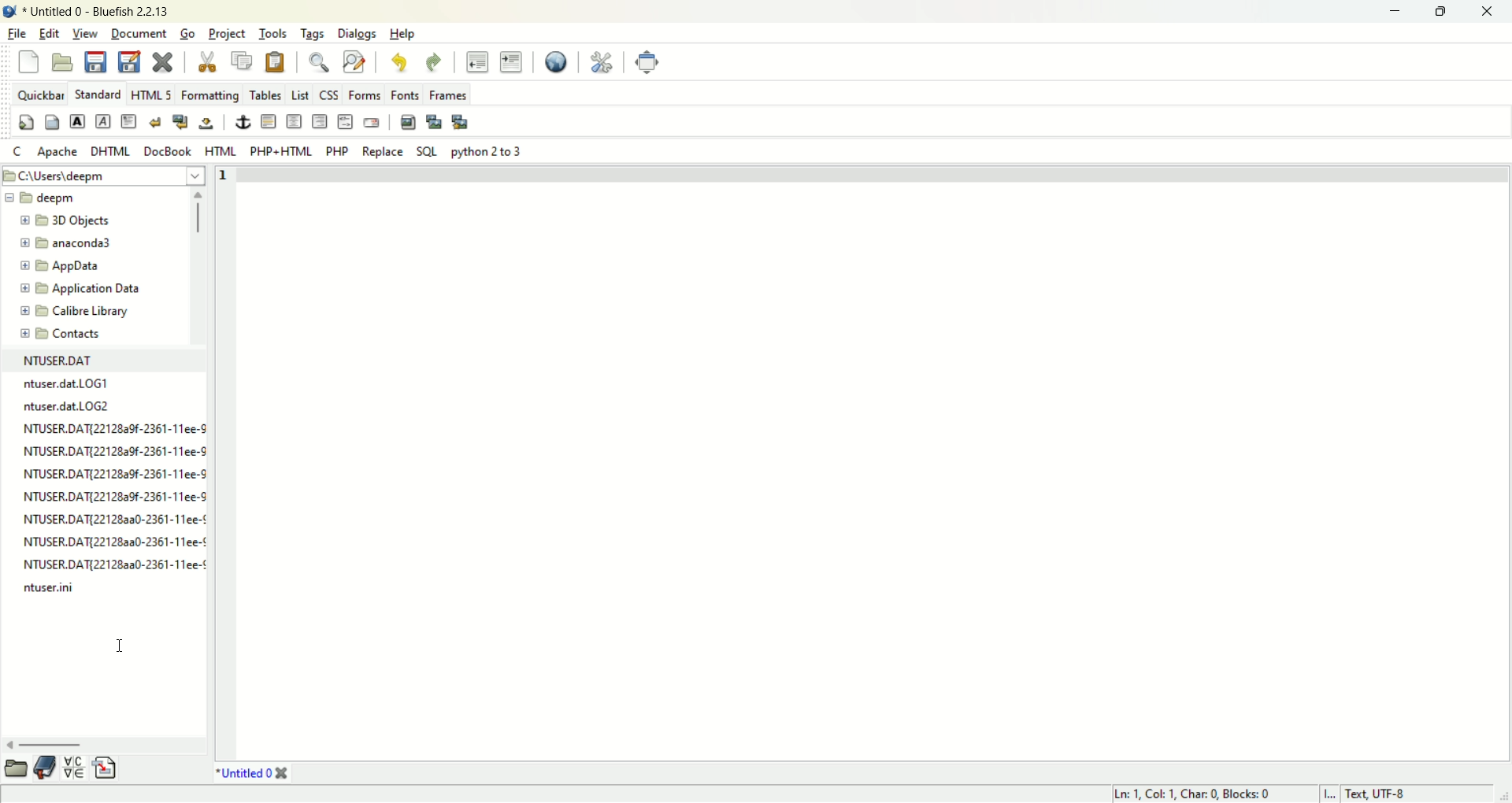  Describe the element at coordinates (49, 200) in the screenshot. I see `folder name` at that location.